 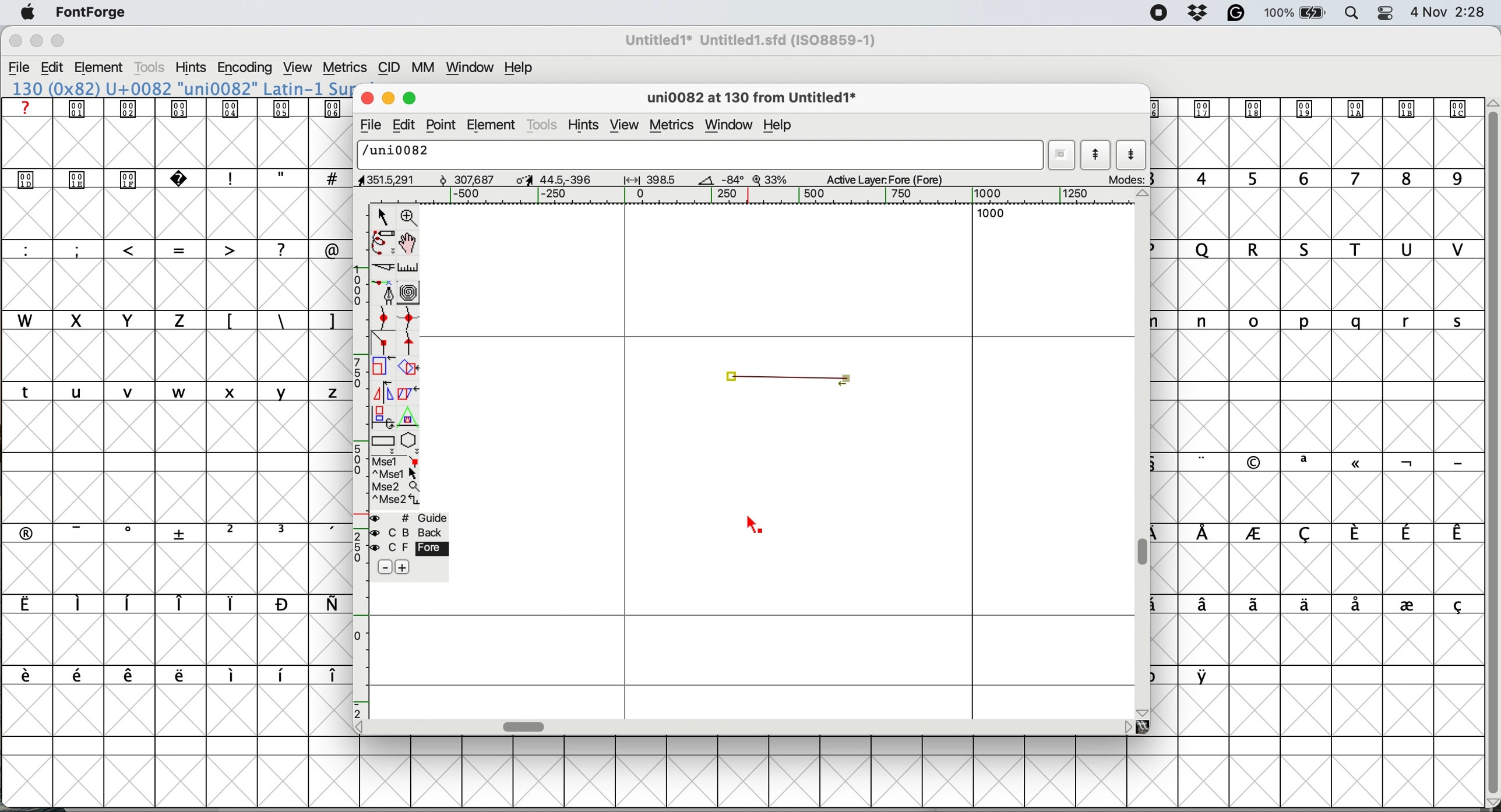 What do you see at coordinates (179, 89) in the screenshot?
I see `font name` at bounding box center [179, 89].